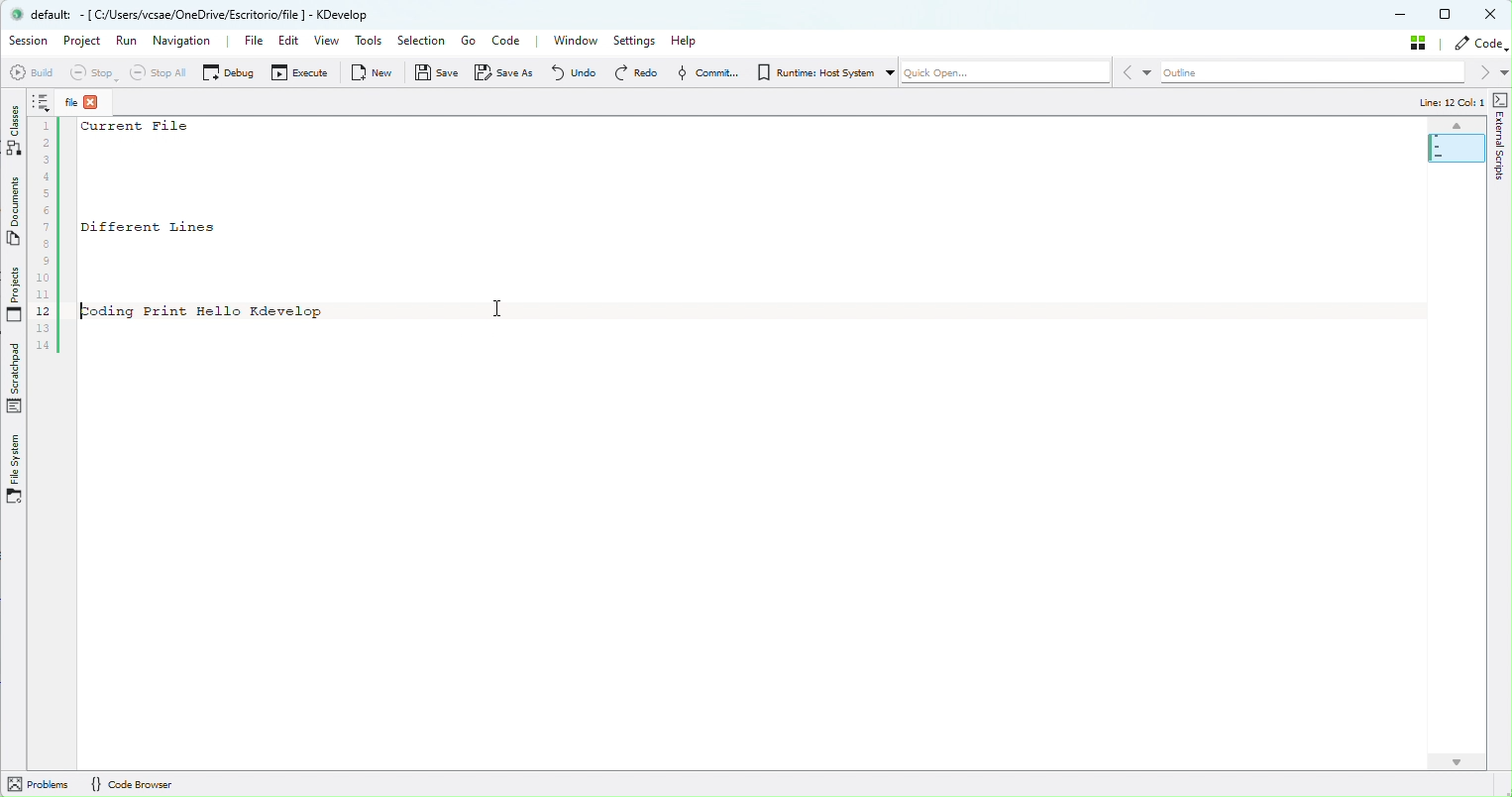 This screenshot has width=1512, height=797. I want to click on ® default: - [ C/Users/vcsae/OneDrive/Escritorioffile | - KDevelop, so click(202, 16).